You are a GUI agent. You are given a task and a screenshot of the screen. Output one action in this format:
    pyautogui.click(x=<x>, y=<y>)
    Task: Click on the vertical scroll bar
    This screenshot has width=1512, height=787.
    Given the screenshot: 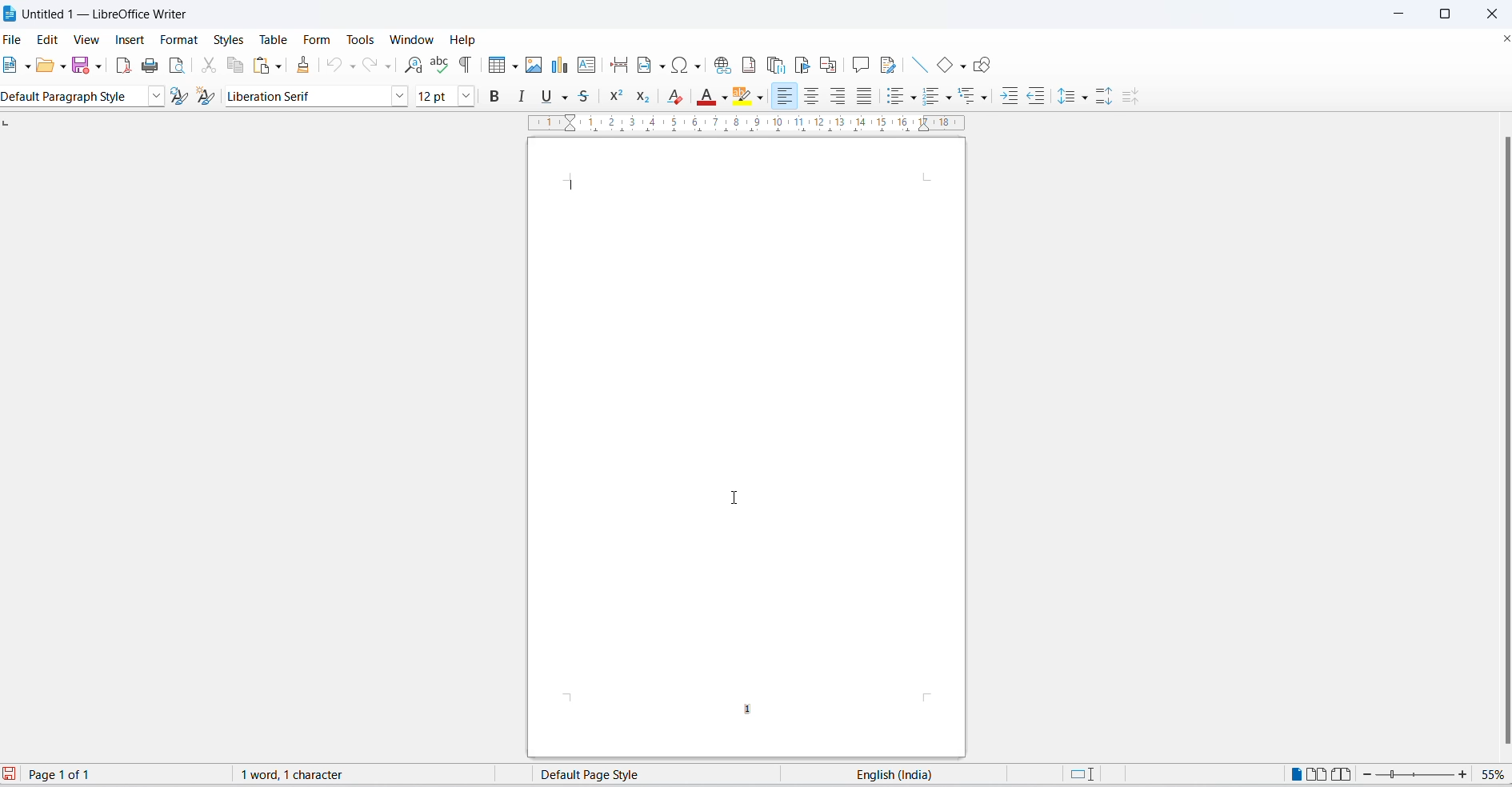 What is the action you would take?
    pyautogui.click(x=1498, y=439)
    